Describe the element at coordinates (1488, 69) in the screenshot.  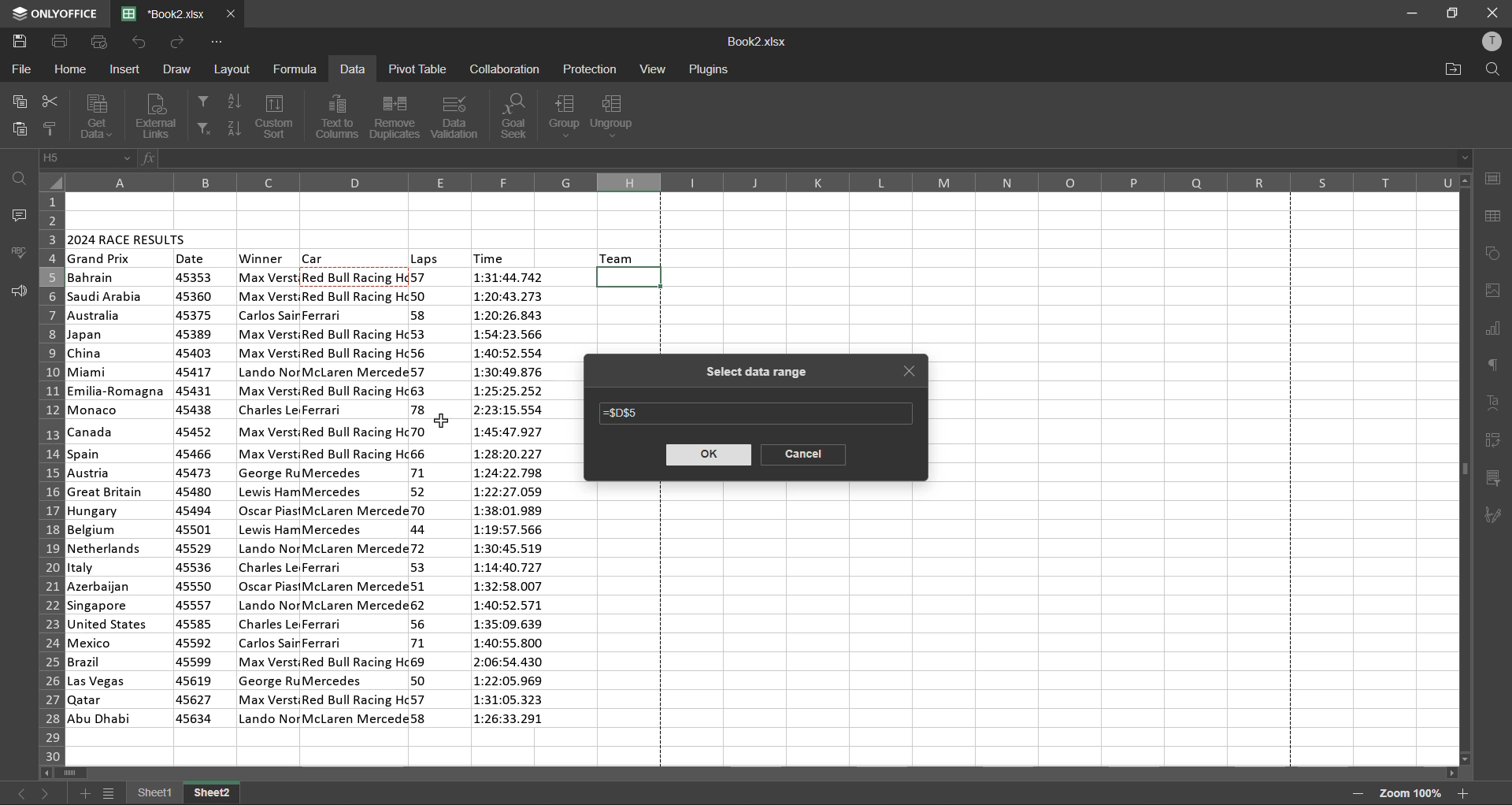
I see `find` at that location.